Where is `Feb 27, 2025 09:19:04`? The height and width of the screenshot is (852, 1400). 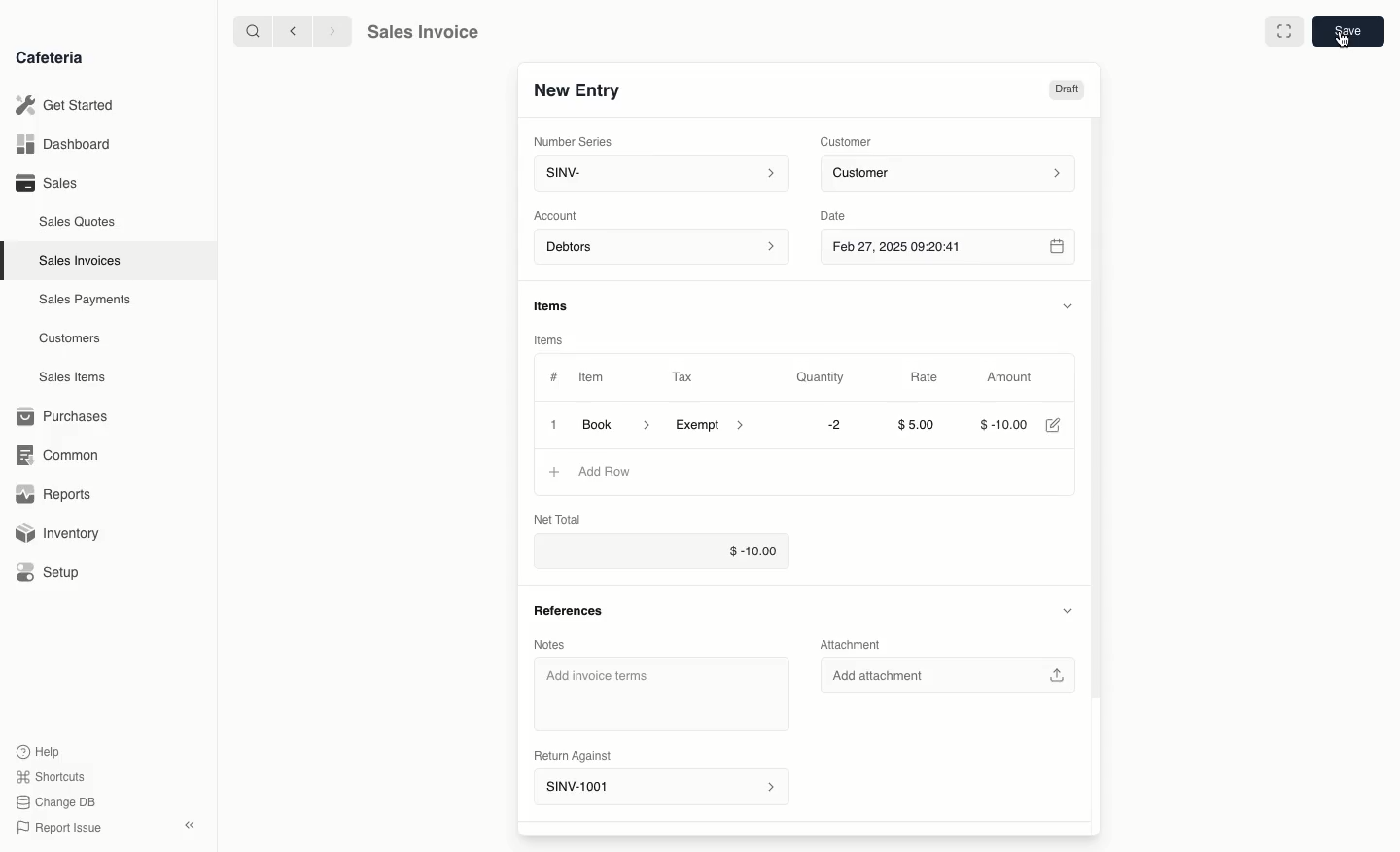 Feb 27, 2025 09:19:04 is located at coordinates (956, 248).